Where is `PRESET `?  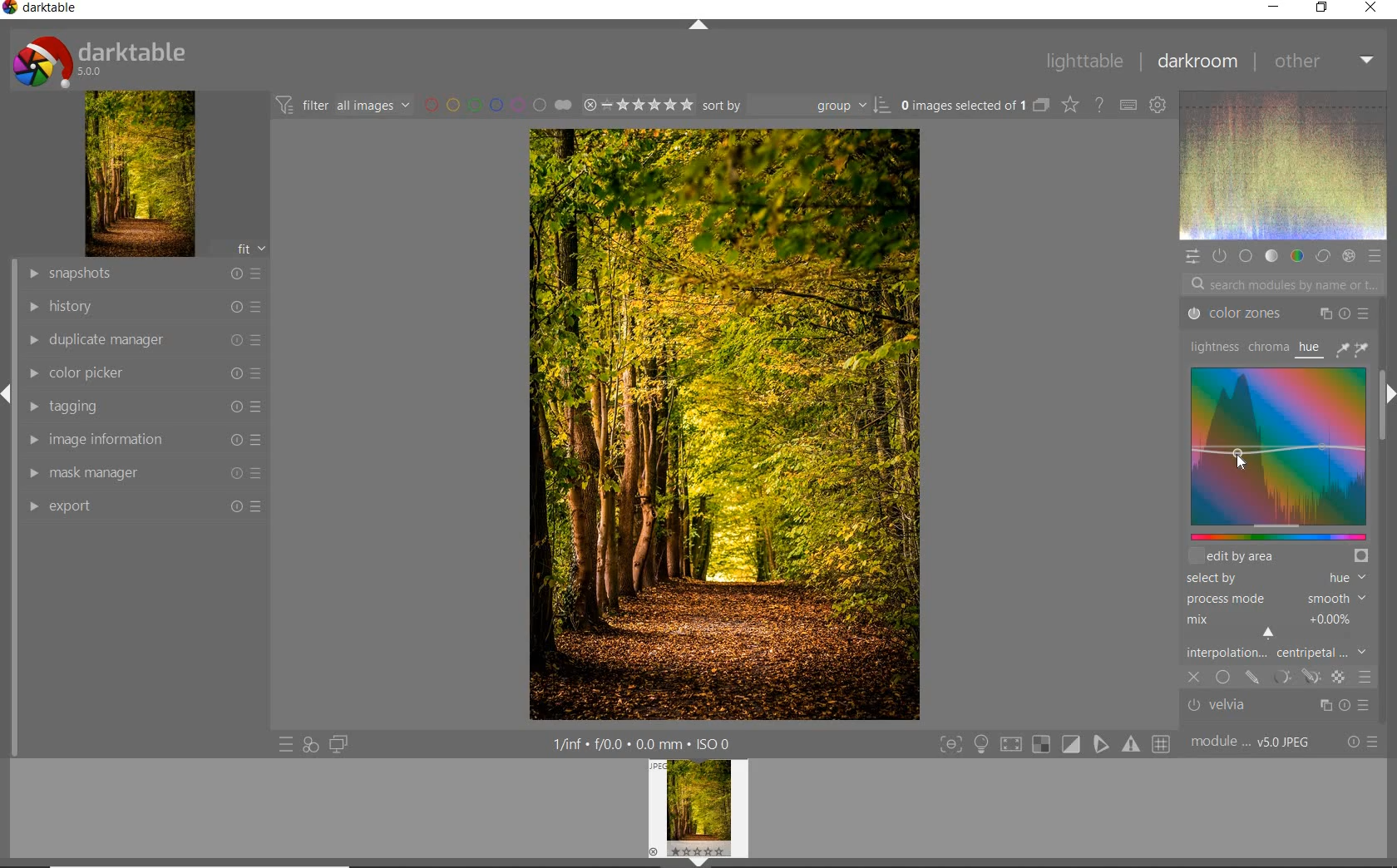 PRESET  is located at coordinates (1375, 255).